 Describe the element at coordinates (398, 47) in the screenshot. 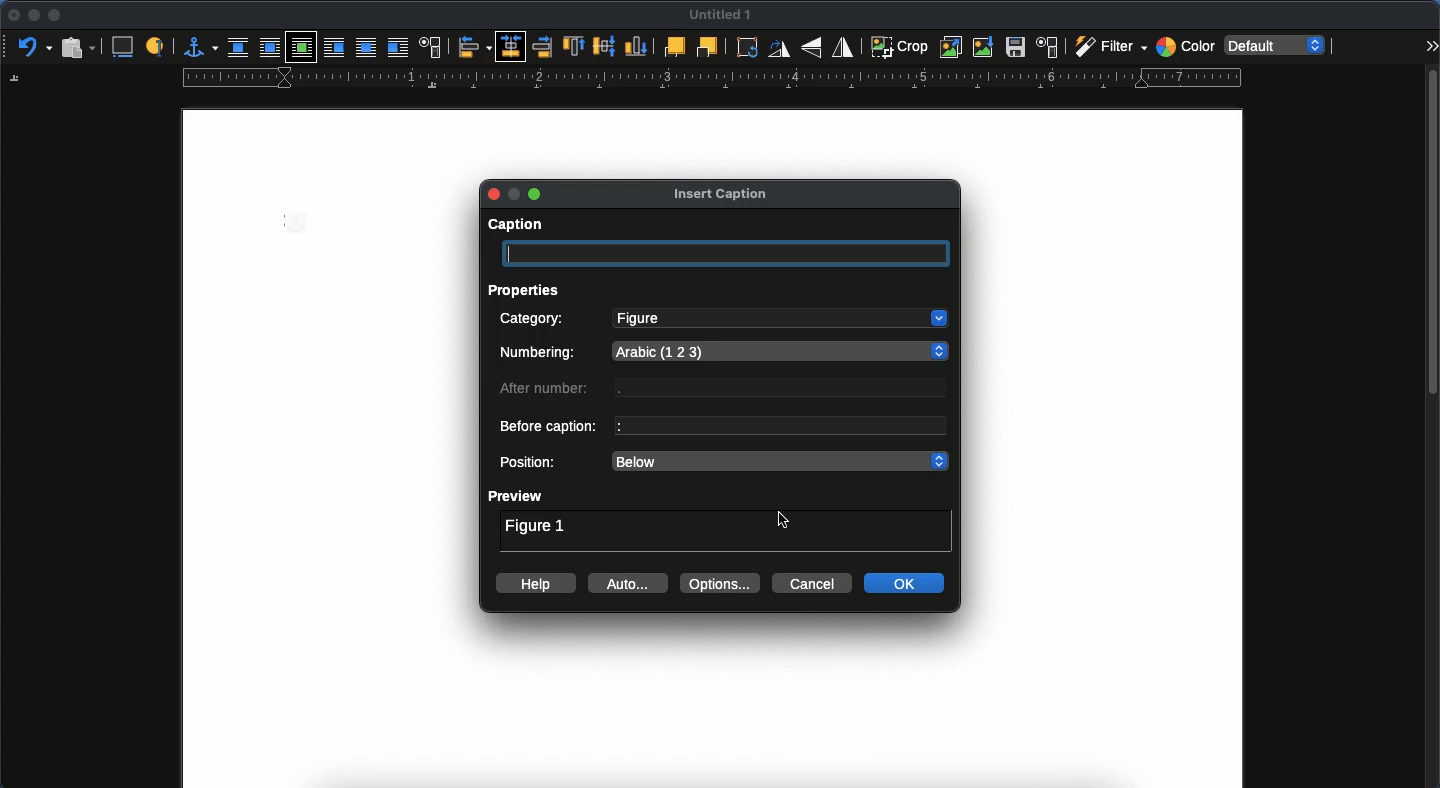

I see `after` at that location.